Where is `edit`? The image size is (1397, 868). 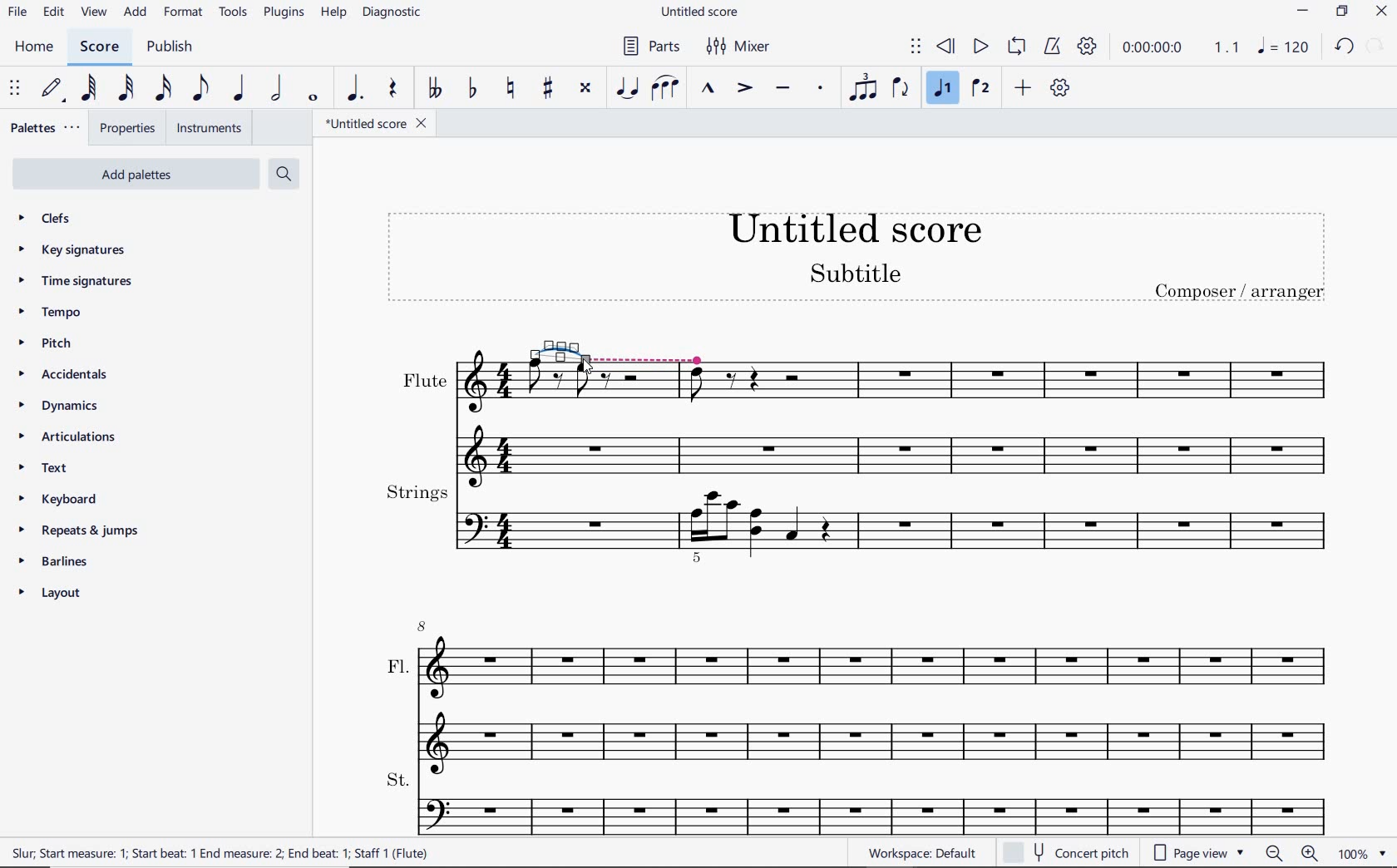
edit is located at coordinates (54, 13).